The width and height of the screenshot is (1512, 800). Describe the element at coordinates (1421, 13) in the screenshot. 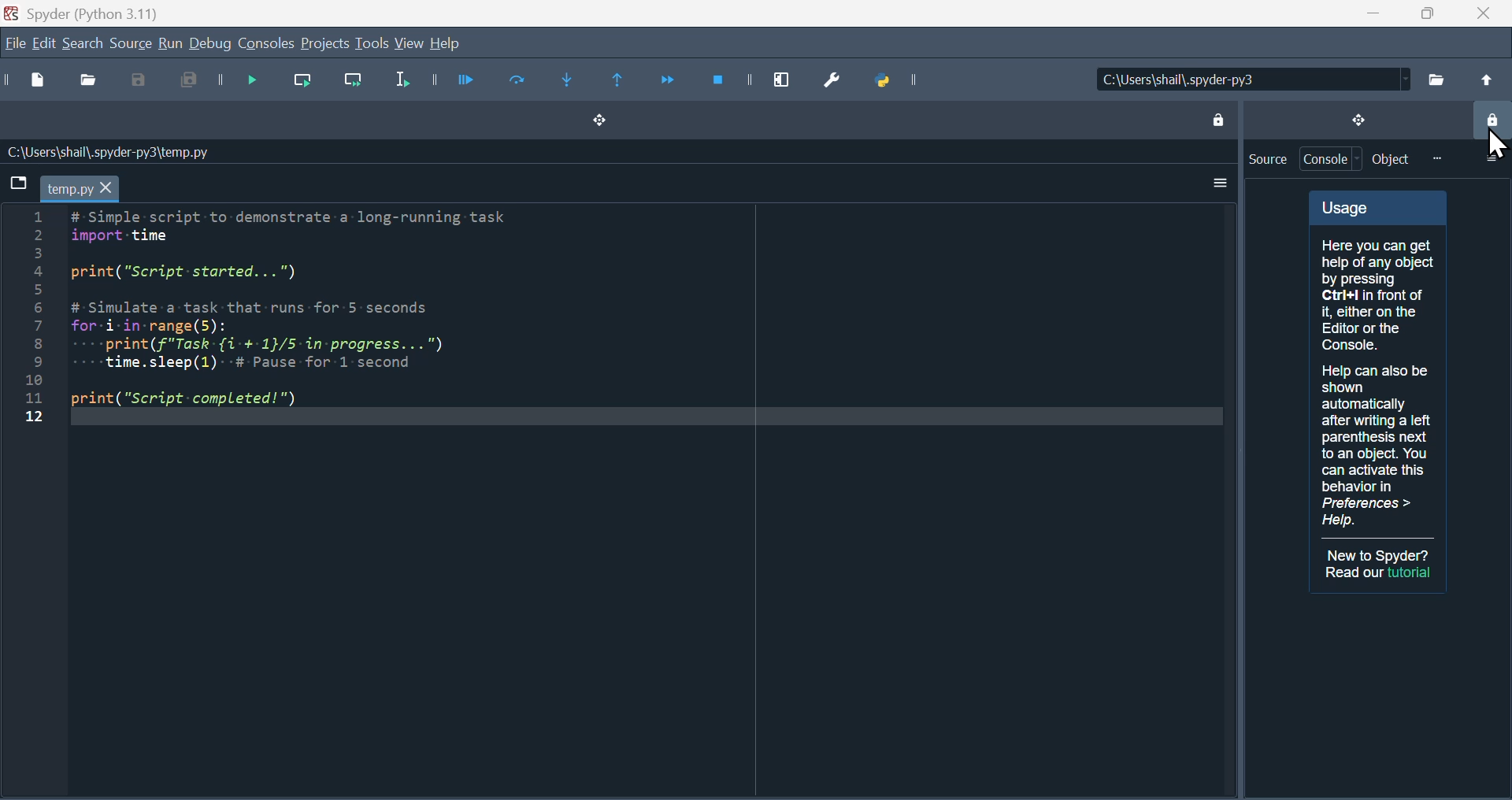

I see `Maximise` at that location.